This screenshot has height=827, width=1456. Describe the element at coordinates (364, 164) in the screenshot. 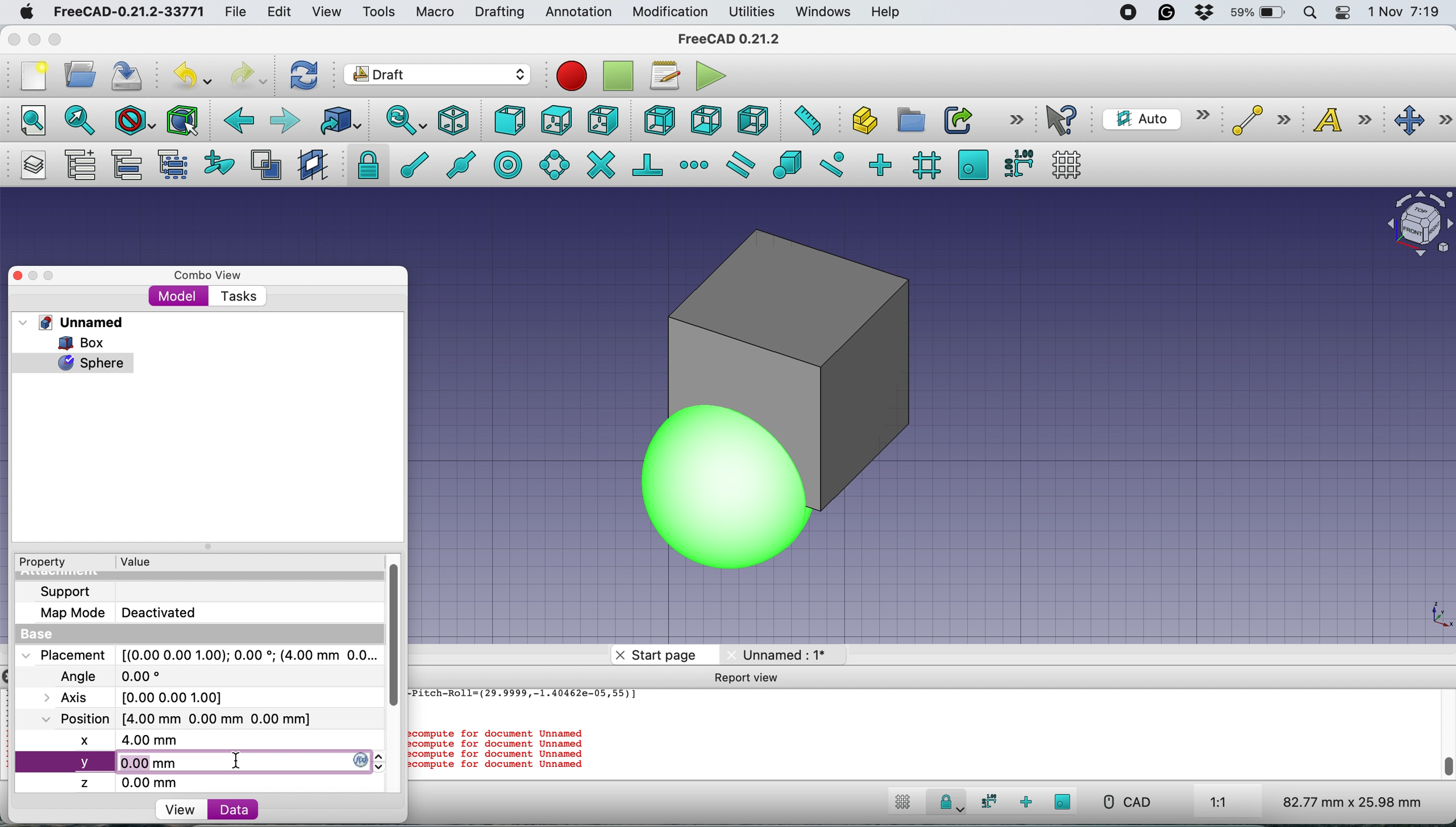

I see `snap lock` at that location.